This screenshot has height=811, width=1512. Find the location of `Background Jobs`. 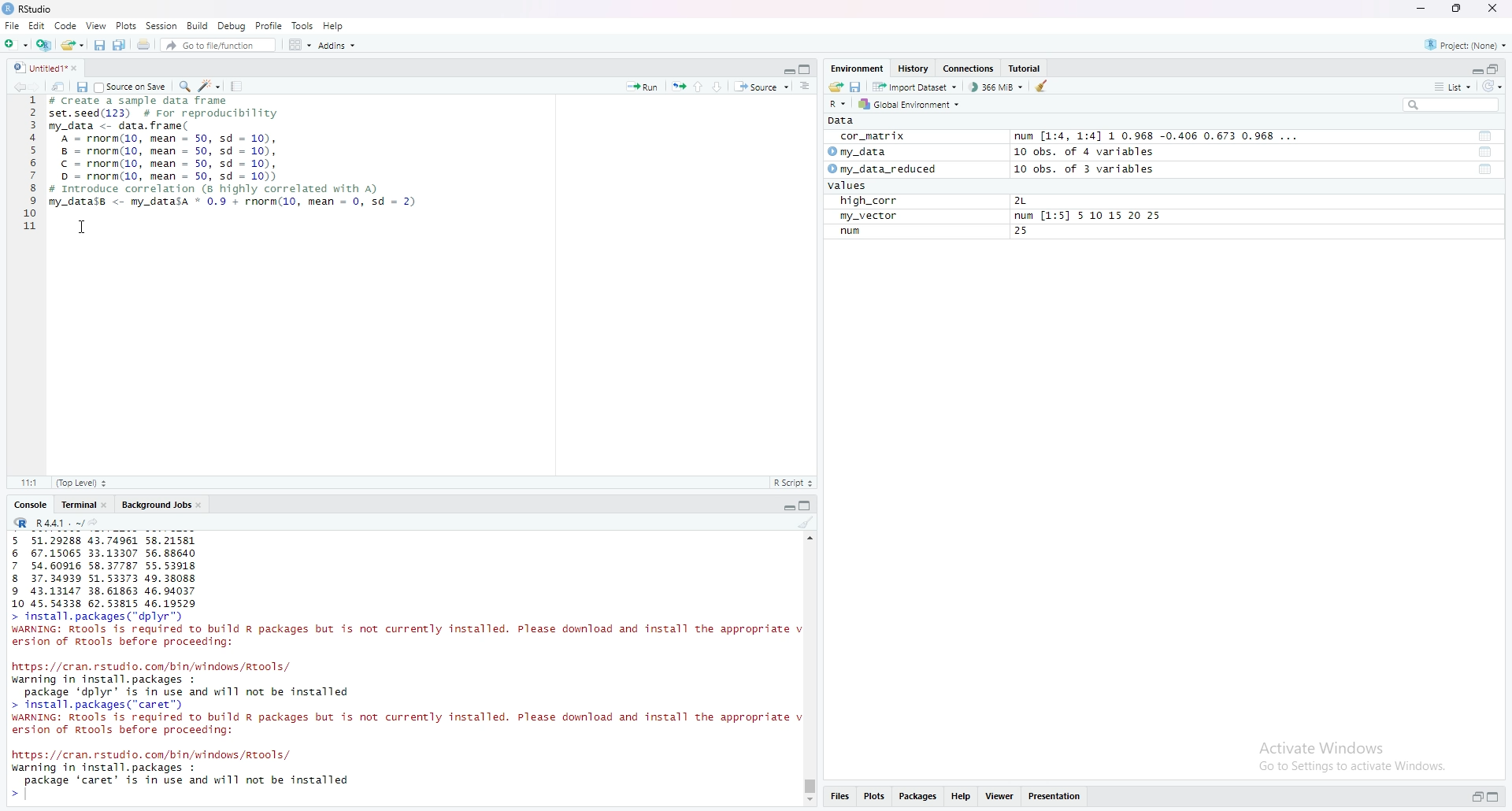

Background Jobs is located at coordinates (157, 505).